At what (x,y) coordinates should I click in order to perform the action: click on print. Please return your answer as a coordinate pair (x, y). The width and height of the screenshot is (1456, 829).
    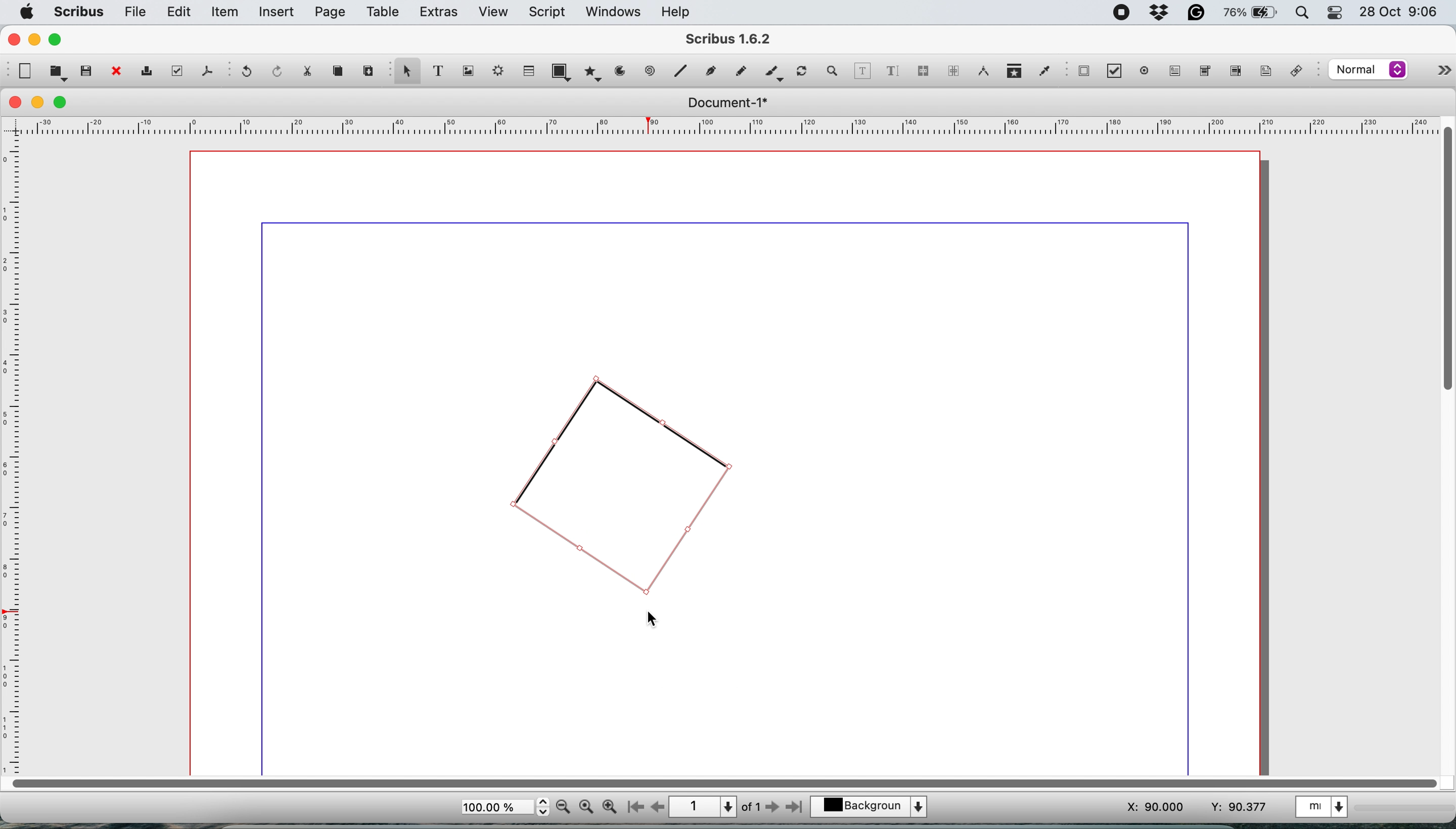
    Looking at the image, I should click on (151, 72).